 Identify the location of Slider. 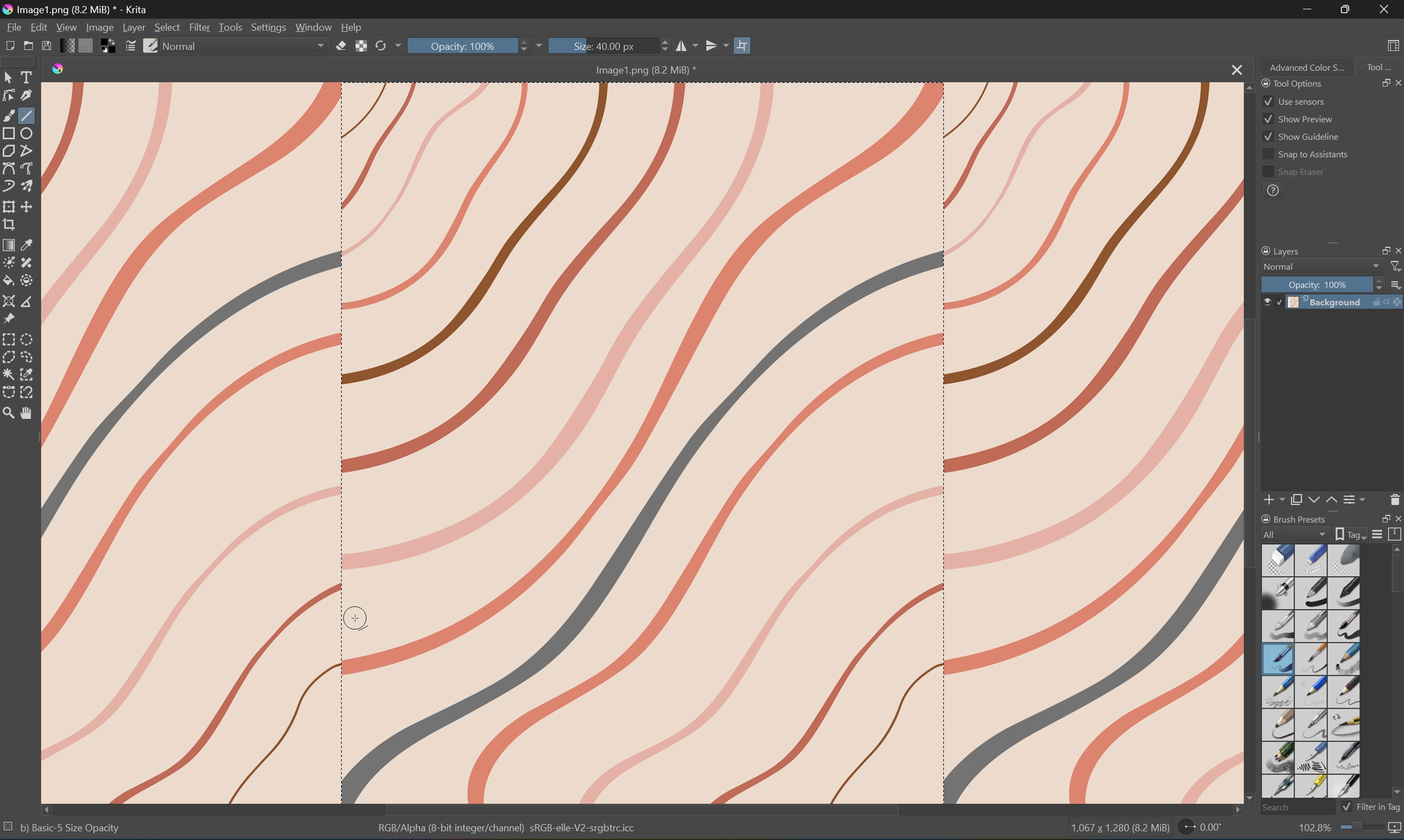
(526, 46).